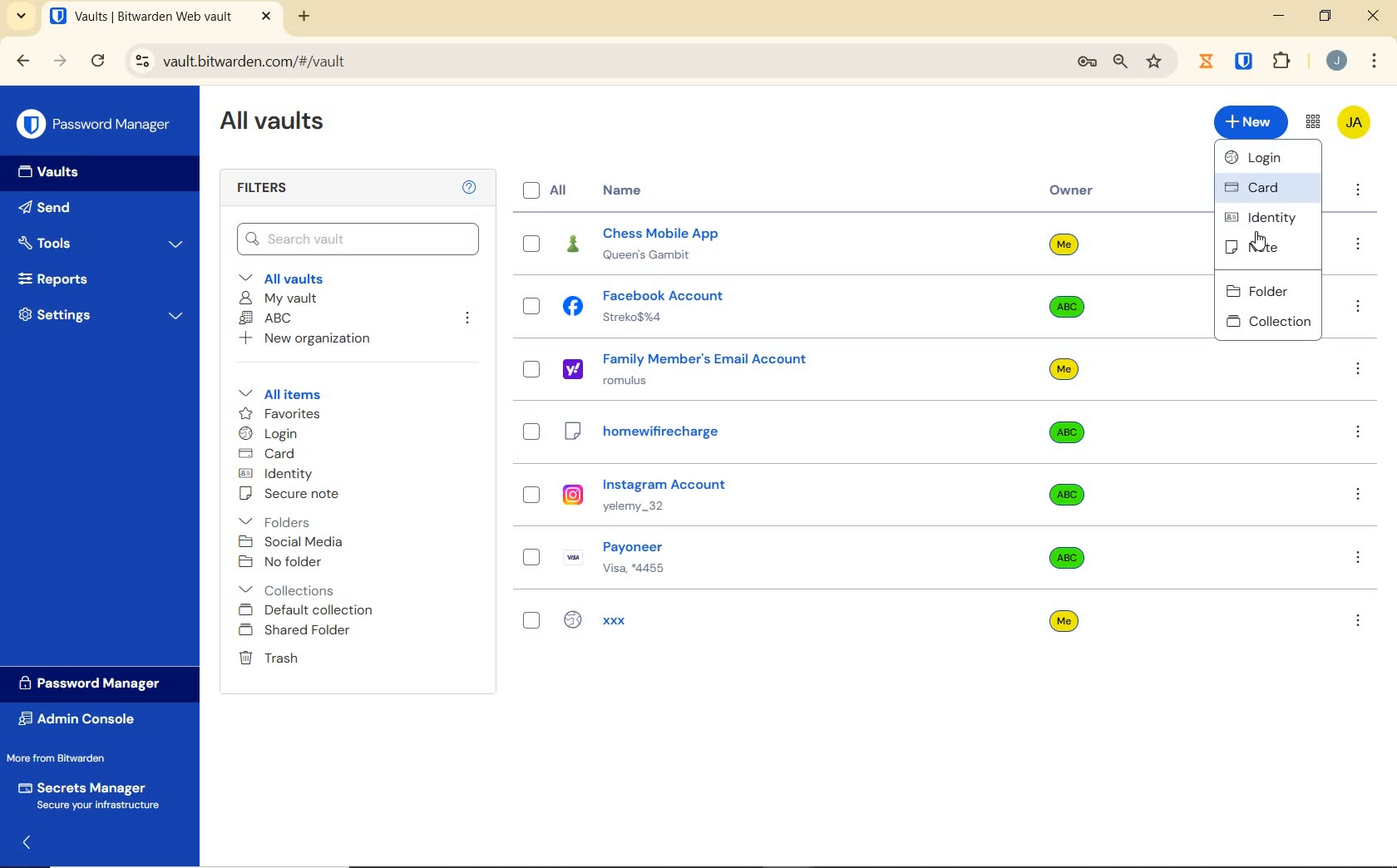 This screenshot has width=1397, height=868. I want to click on All, so click(548, 190).